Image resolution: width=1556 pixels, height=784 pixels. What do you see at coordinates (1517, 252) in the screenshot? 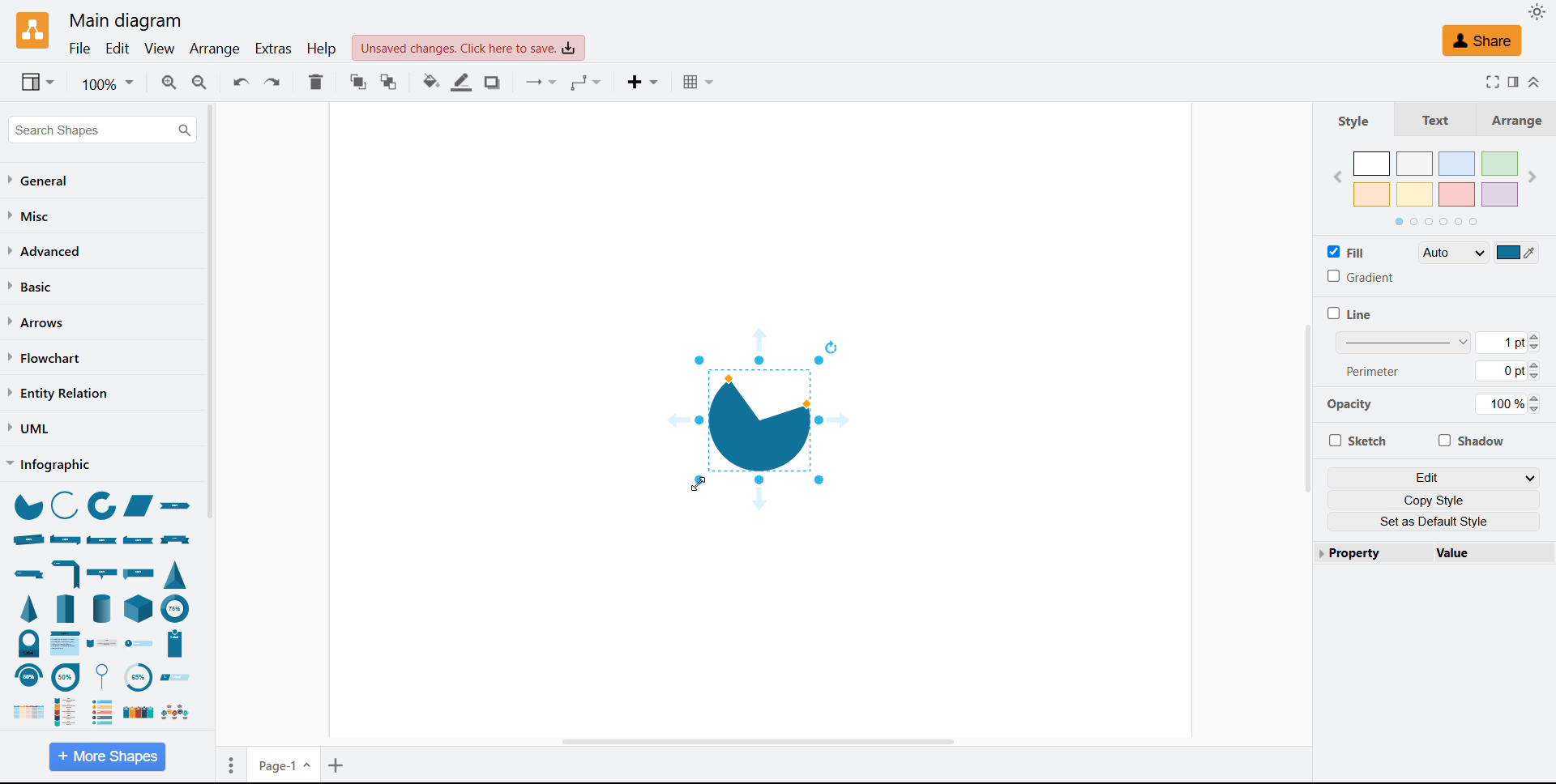
I see `fill colour ` at bounding box center [1517, 252].